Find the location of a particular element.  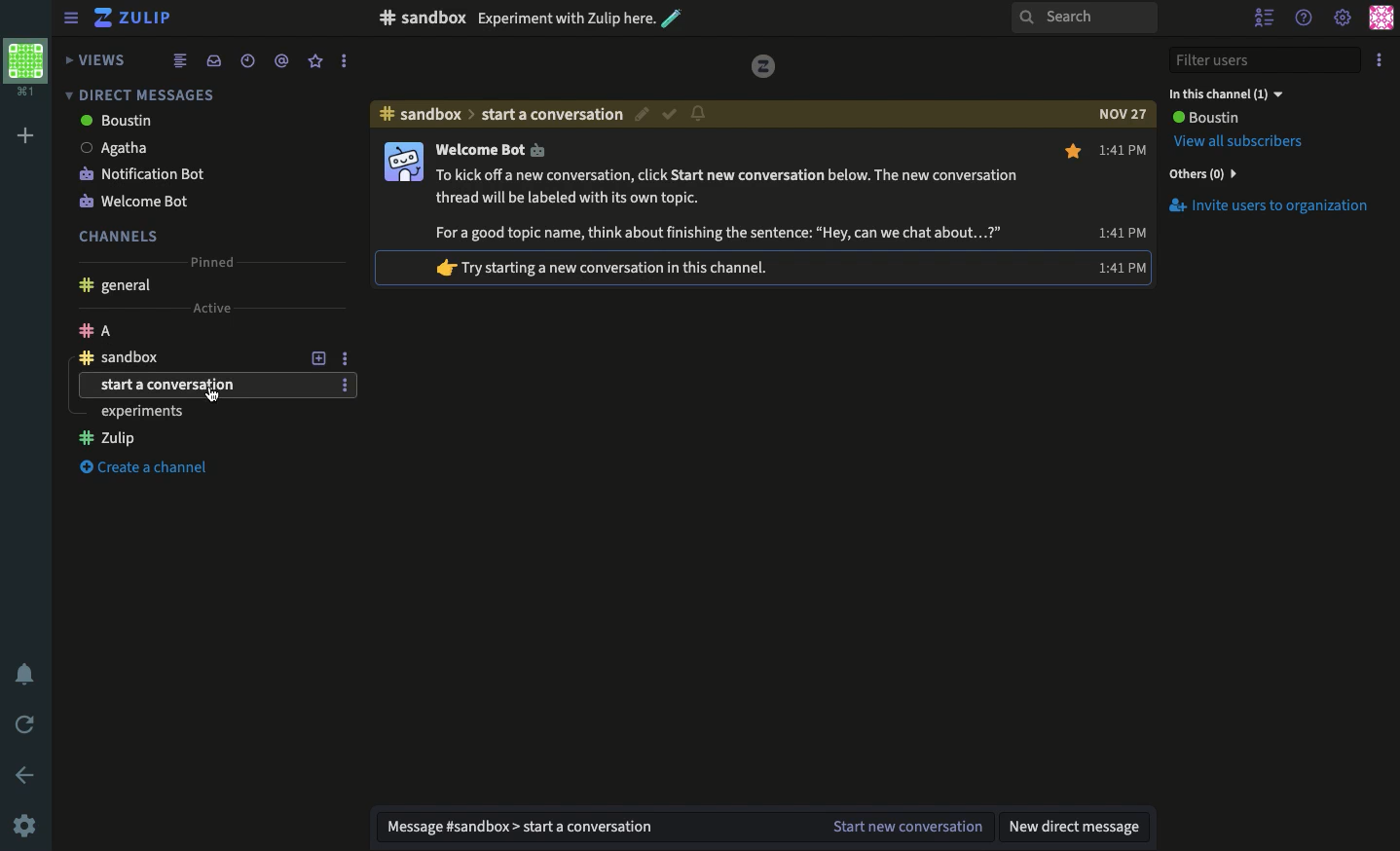

Time is located at coordinates (245, 60).